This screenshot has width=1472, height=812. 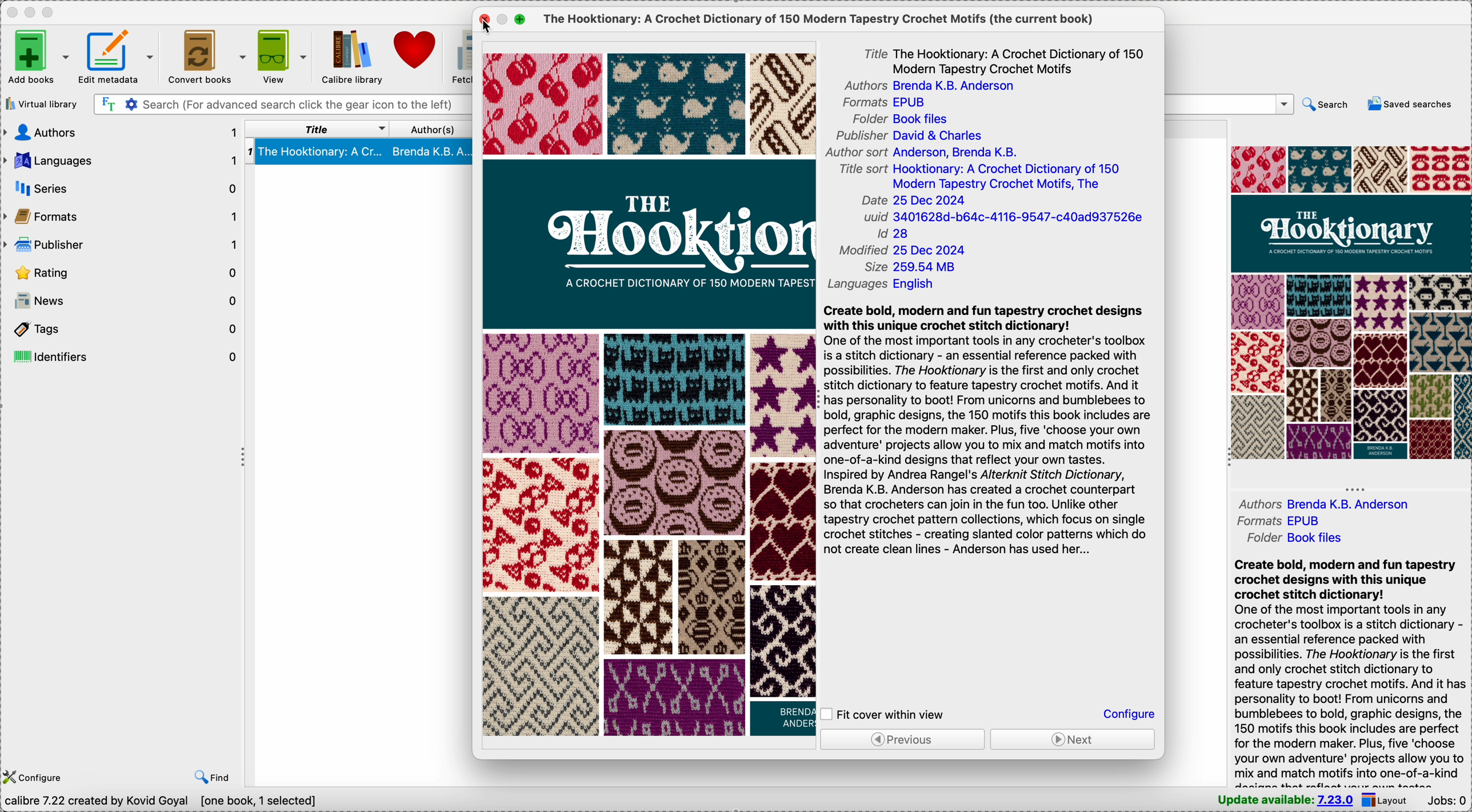 What do you see at coordinates (122, 158) in the screenshot?
I see `languages` at bounding box center [122, 158].